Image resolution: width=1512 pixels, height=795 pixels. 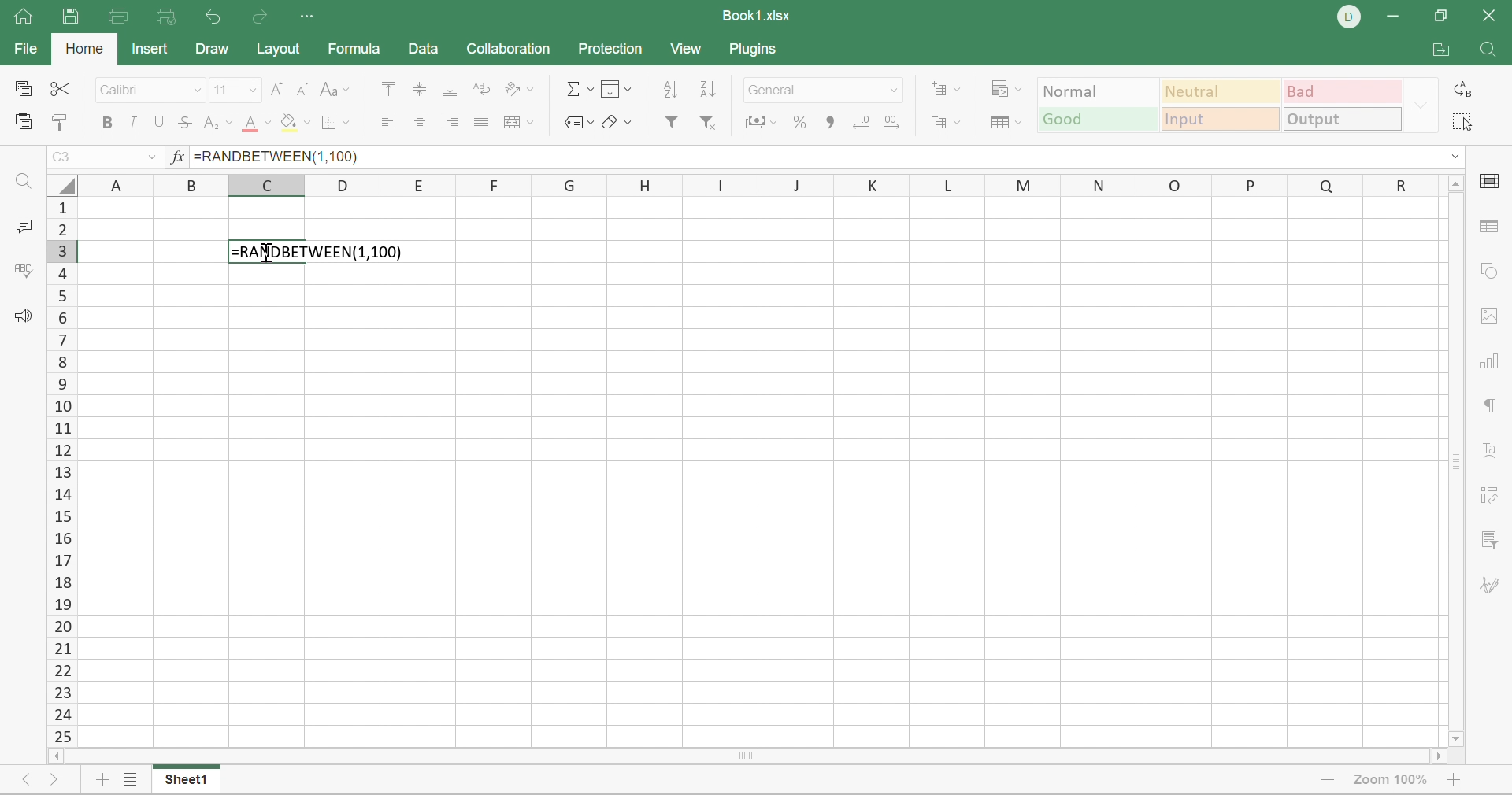 I want to click on Decrease3 decimal, so click(x=863, y=120).